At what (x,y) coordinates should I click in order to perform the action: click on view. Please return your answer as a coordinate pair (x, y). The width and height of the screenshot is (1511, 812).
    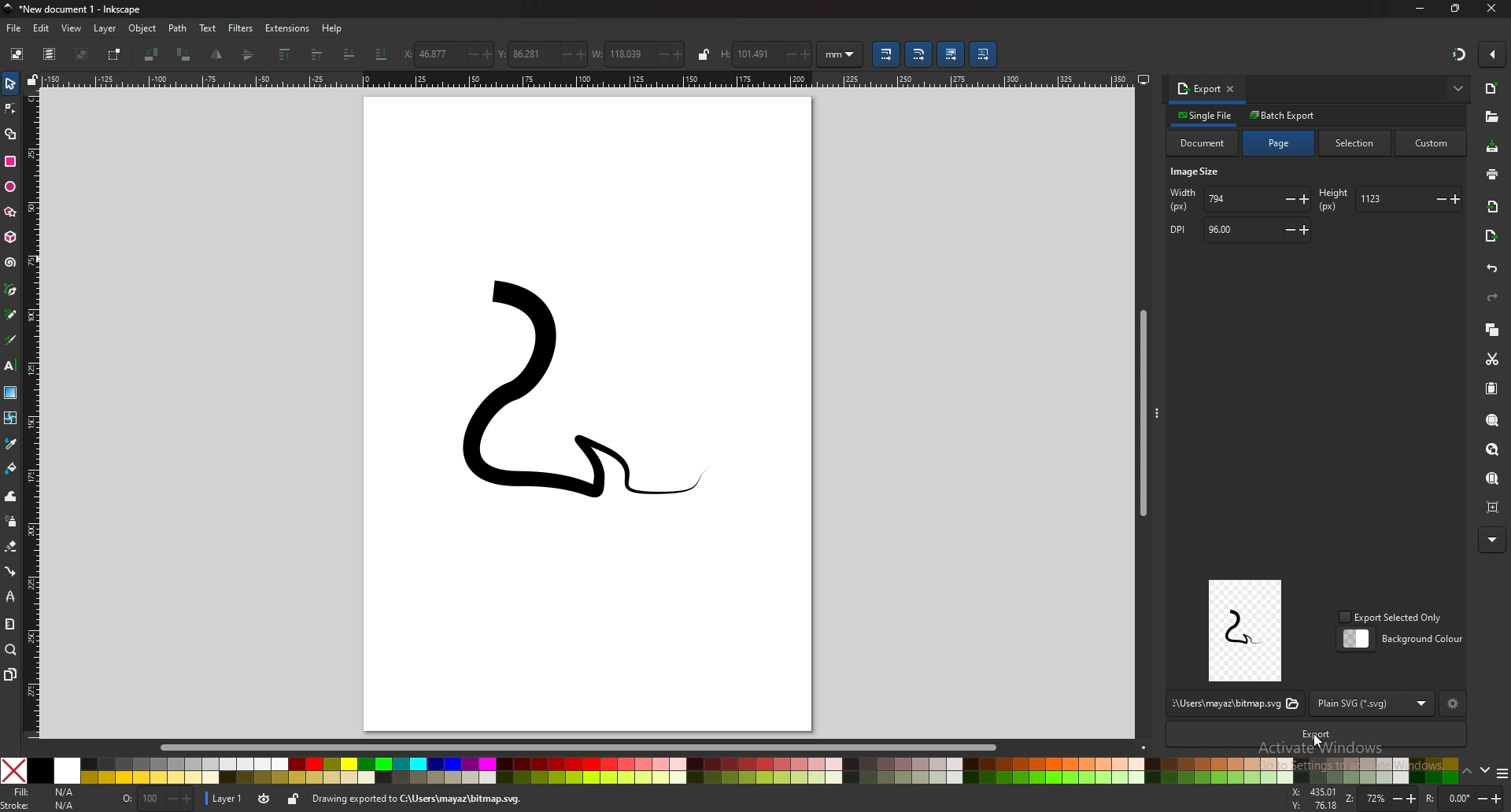
    Looking at the image, I should click on (72, 29).